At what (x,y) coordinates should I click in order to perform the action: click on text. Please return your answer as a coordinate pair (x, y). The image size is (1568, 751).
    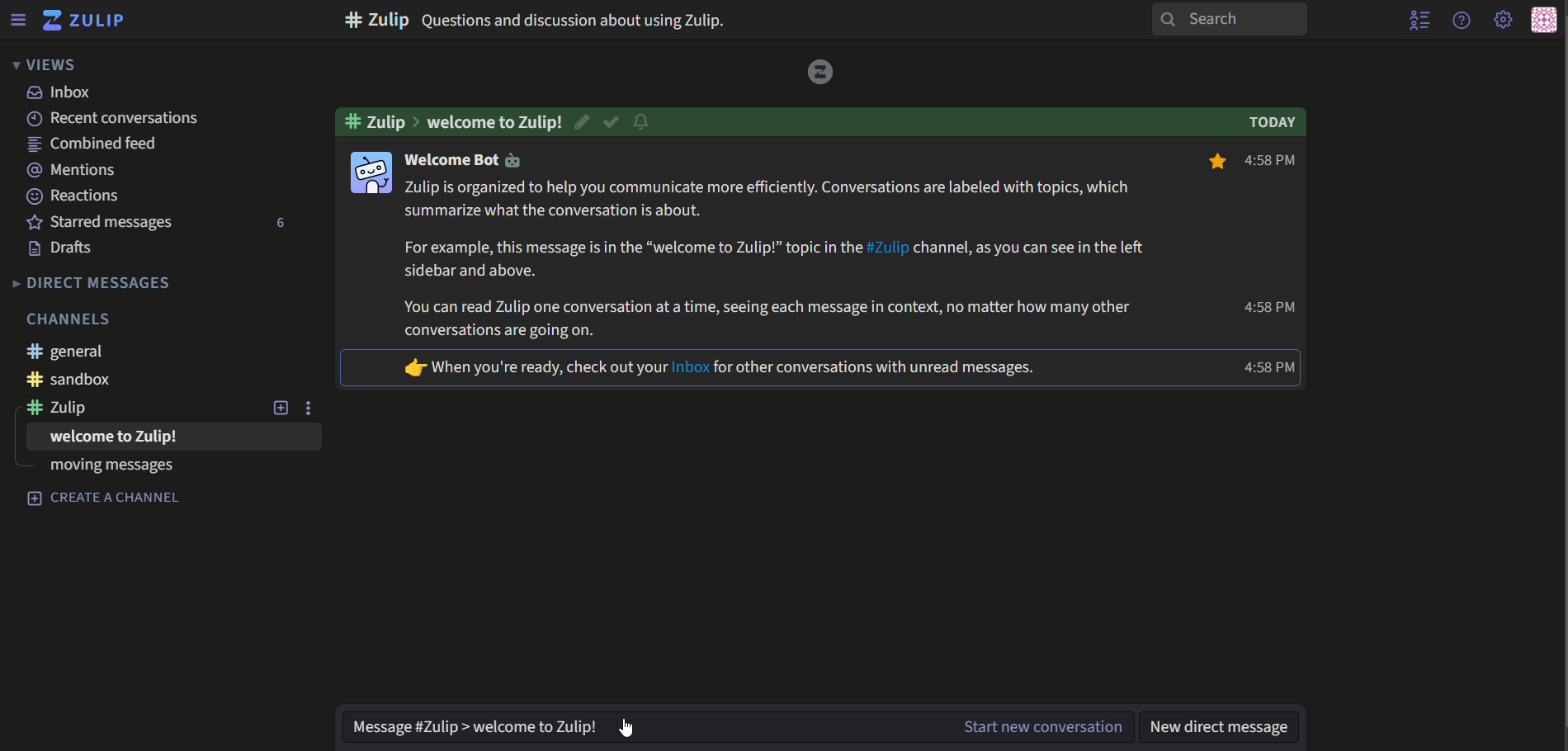
    Looking at the image, I should click on (1276, 123).